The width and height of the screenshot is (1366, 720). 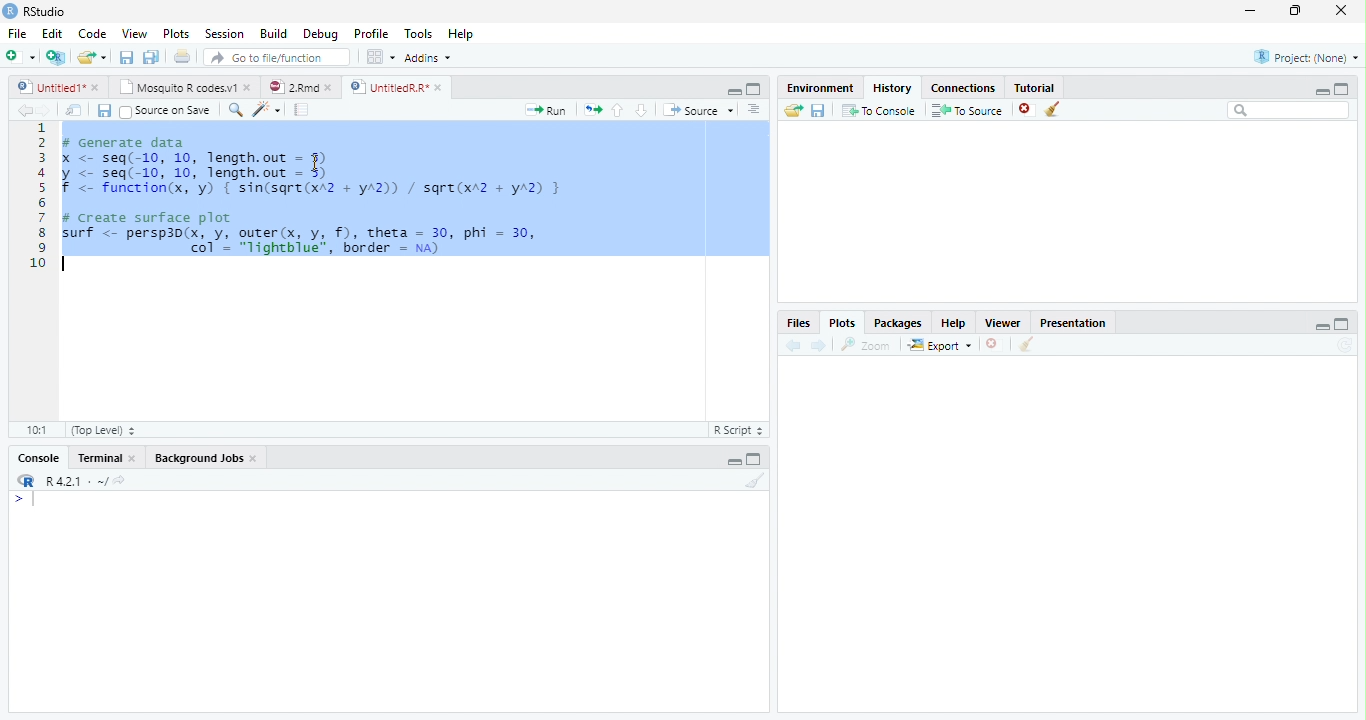 What do you see at coordinates (641, 109) in the screenshot?
I see `Go to next section/chunk` at bounding box center [641, 109].